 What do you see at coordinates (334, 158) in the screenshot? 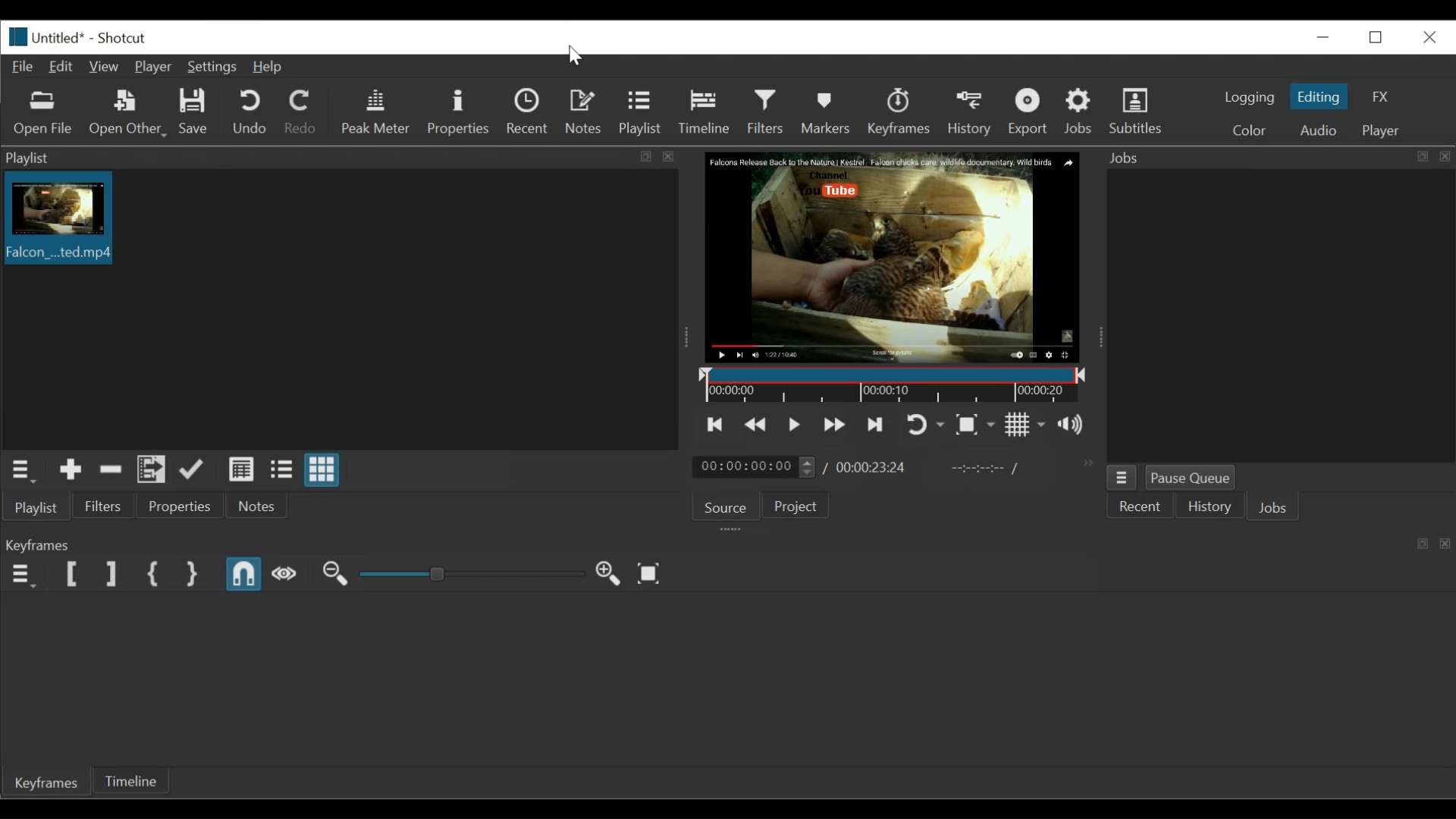
I see `Playlist menu` at bounding box center [334, 158].